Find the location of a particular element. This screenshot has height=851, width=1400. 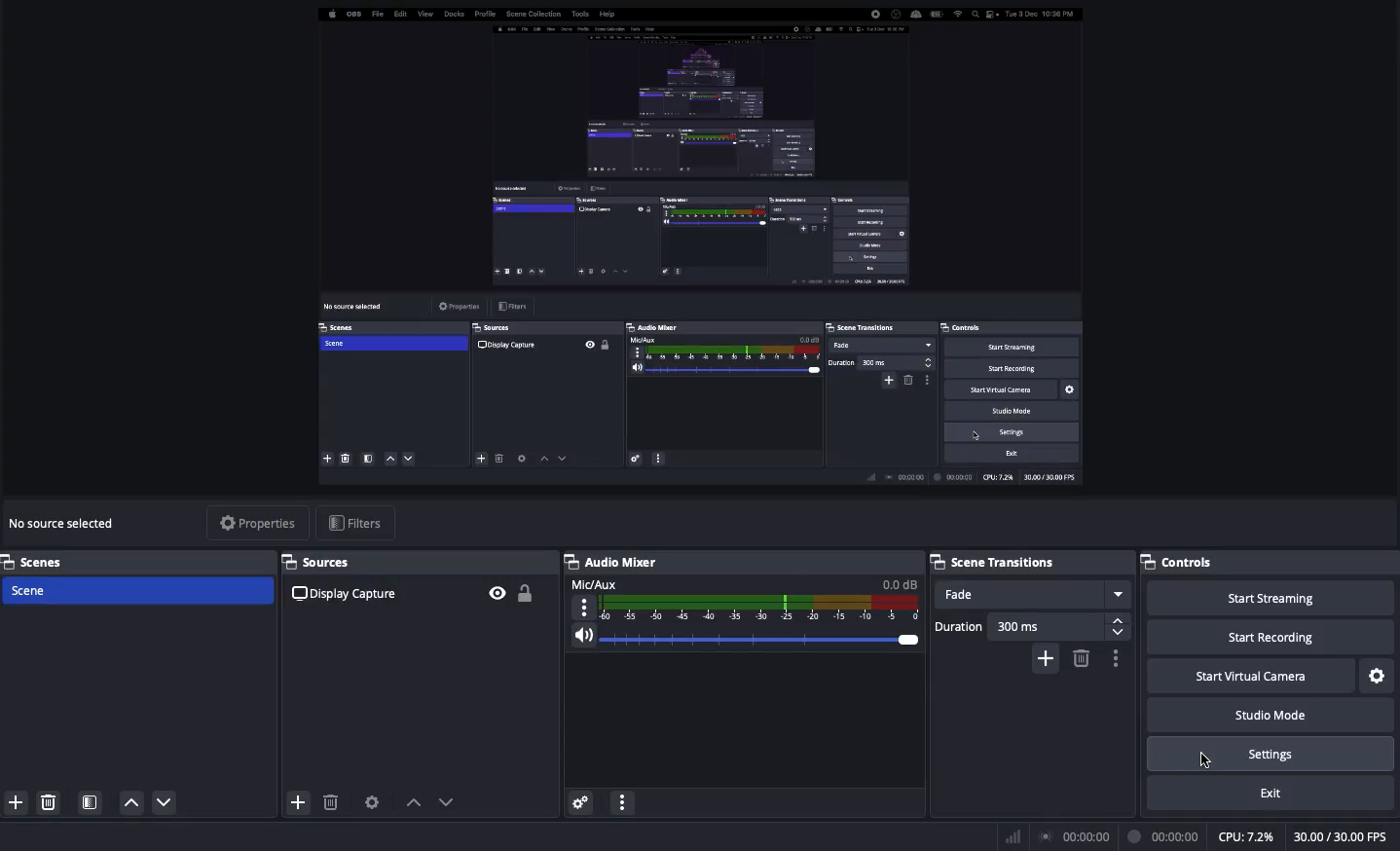

Settings is located at coordinates (1379, 674).